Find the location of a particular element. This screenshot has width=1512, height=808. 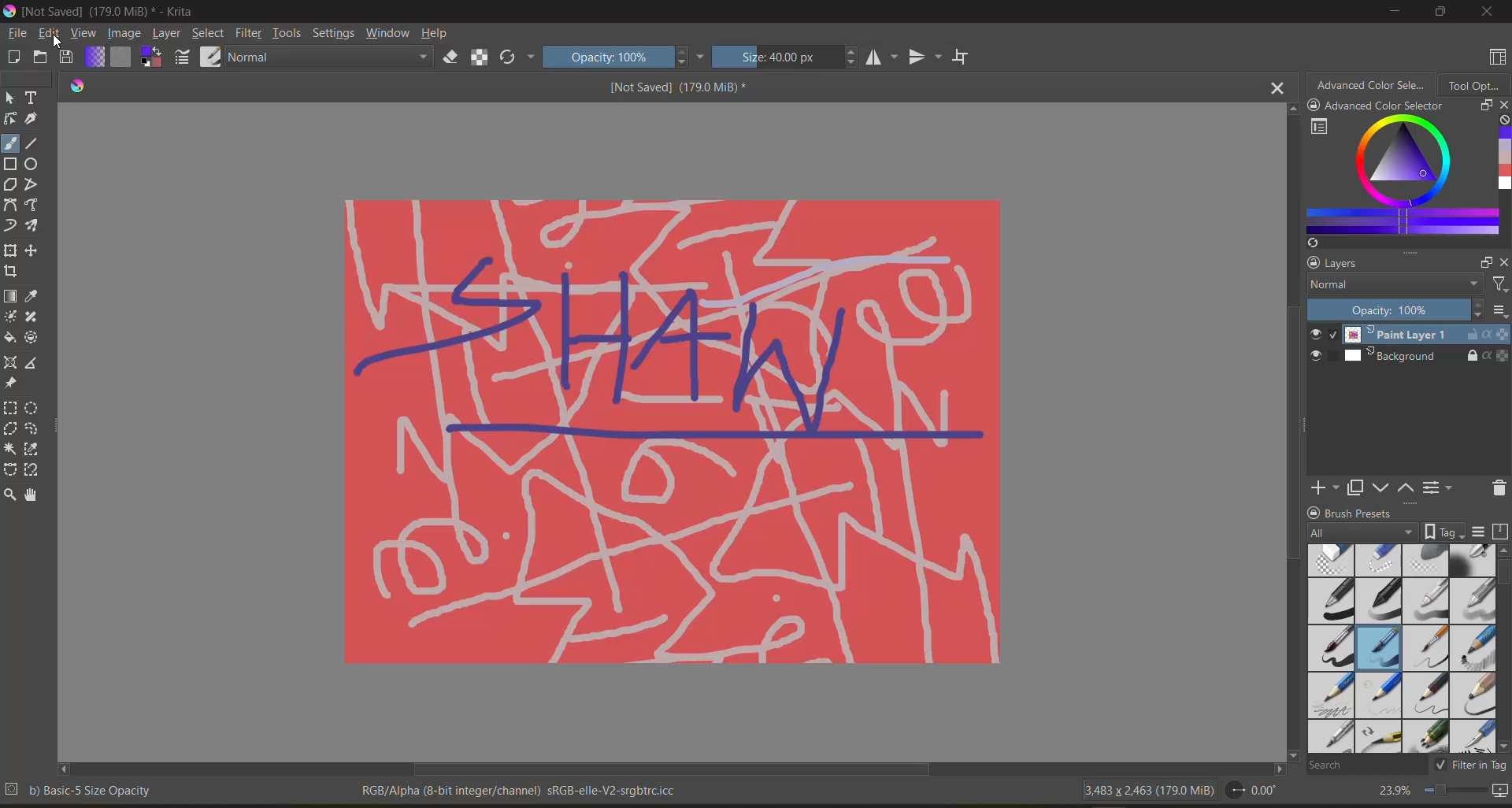

All is located at coordinates (1363, 532).